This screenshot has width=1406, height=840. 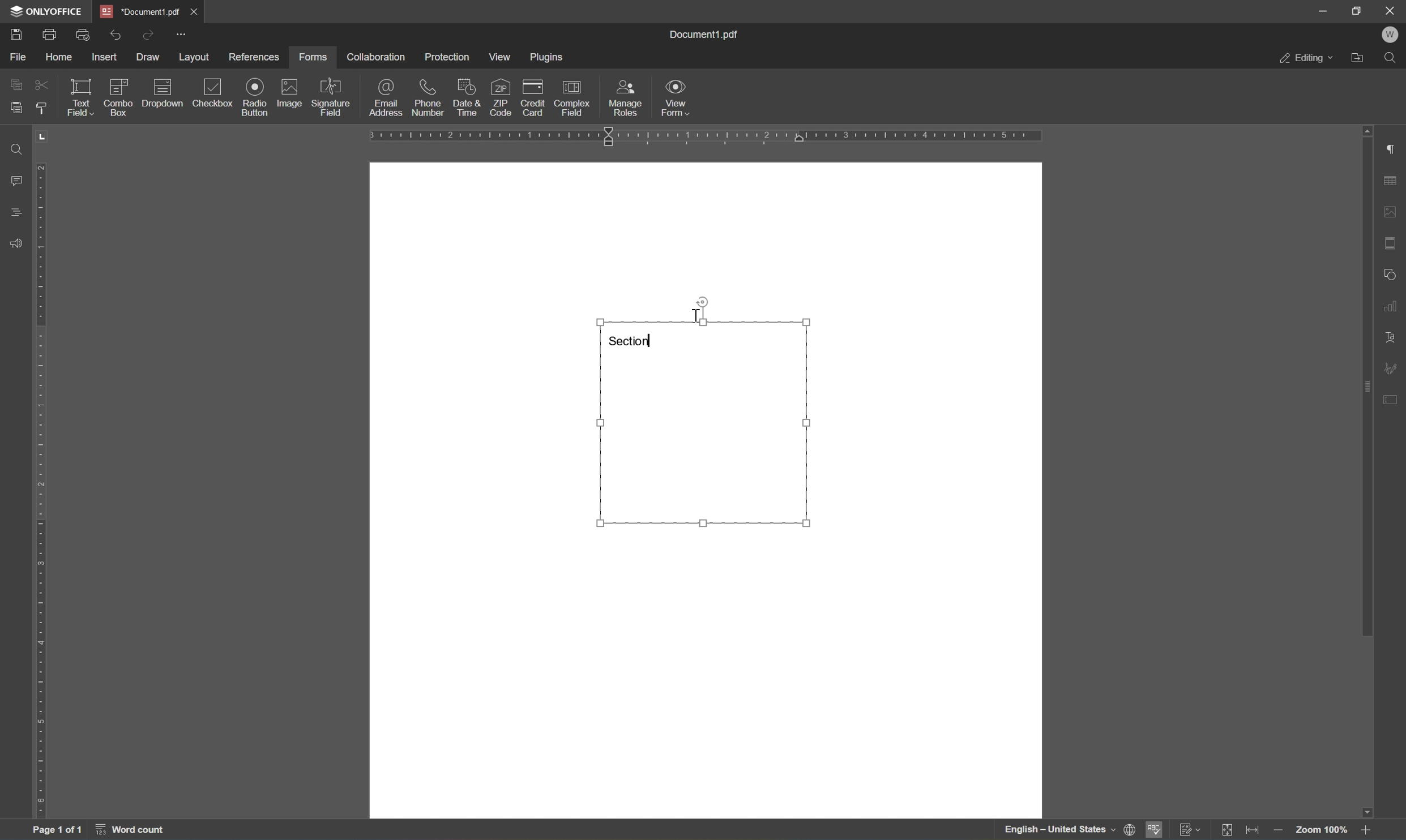 I want to click on credit card, so click(x=533, y=97).